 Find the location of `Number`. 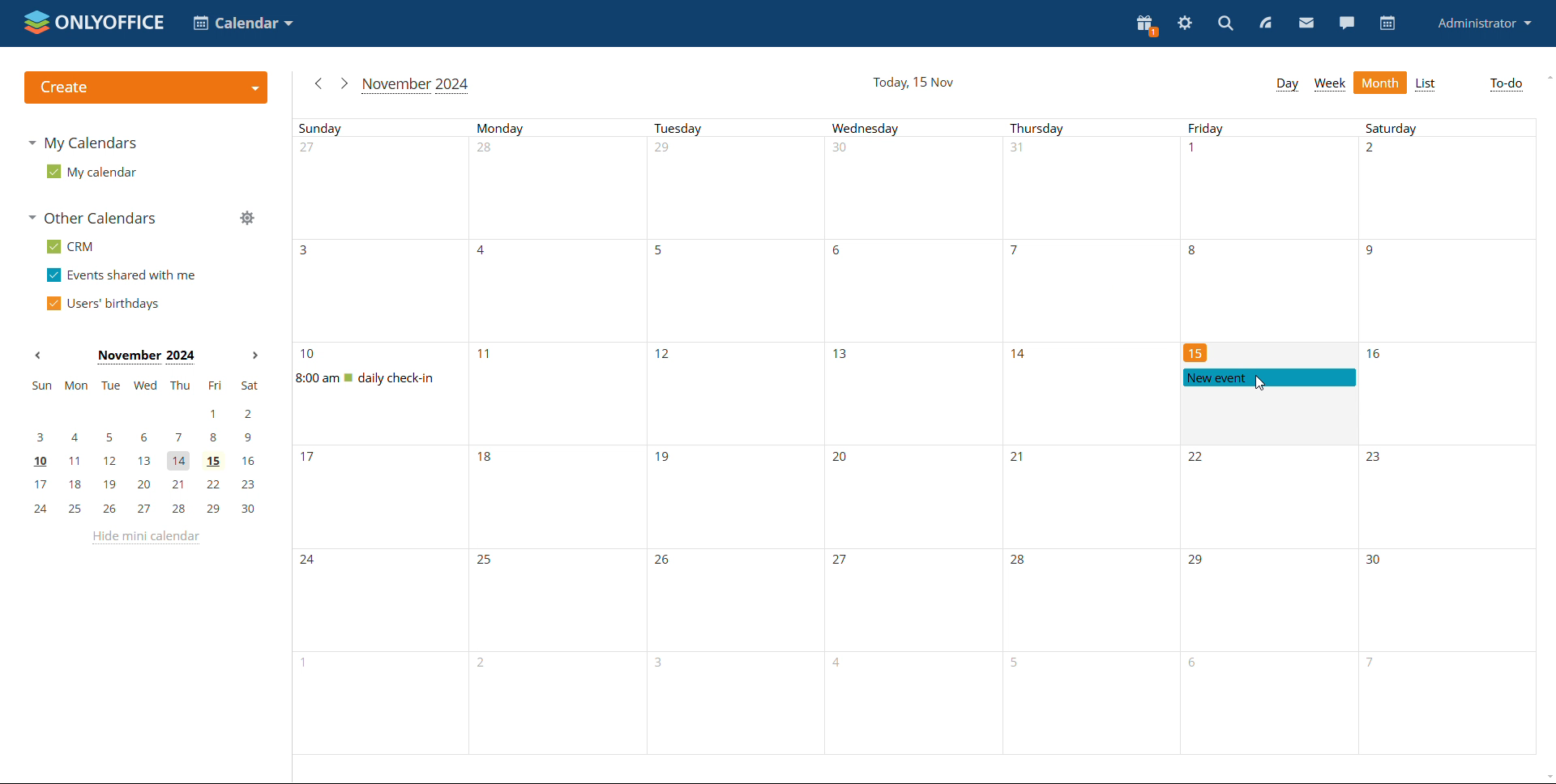

Number is located at coordinates (844, 460).